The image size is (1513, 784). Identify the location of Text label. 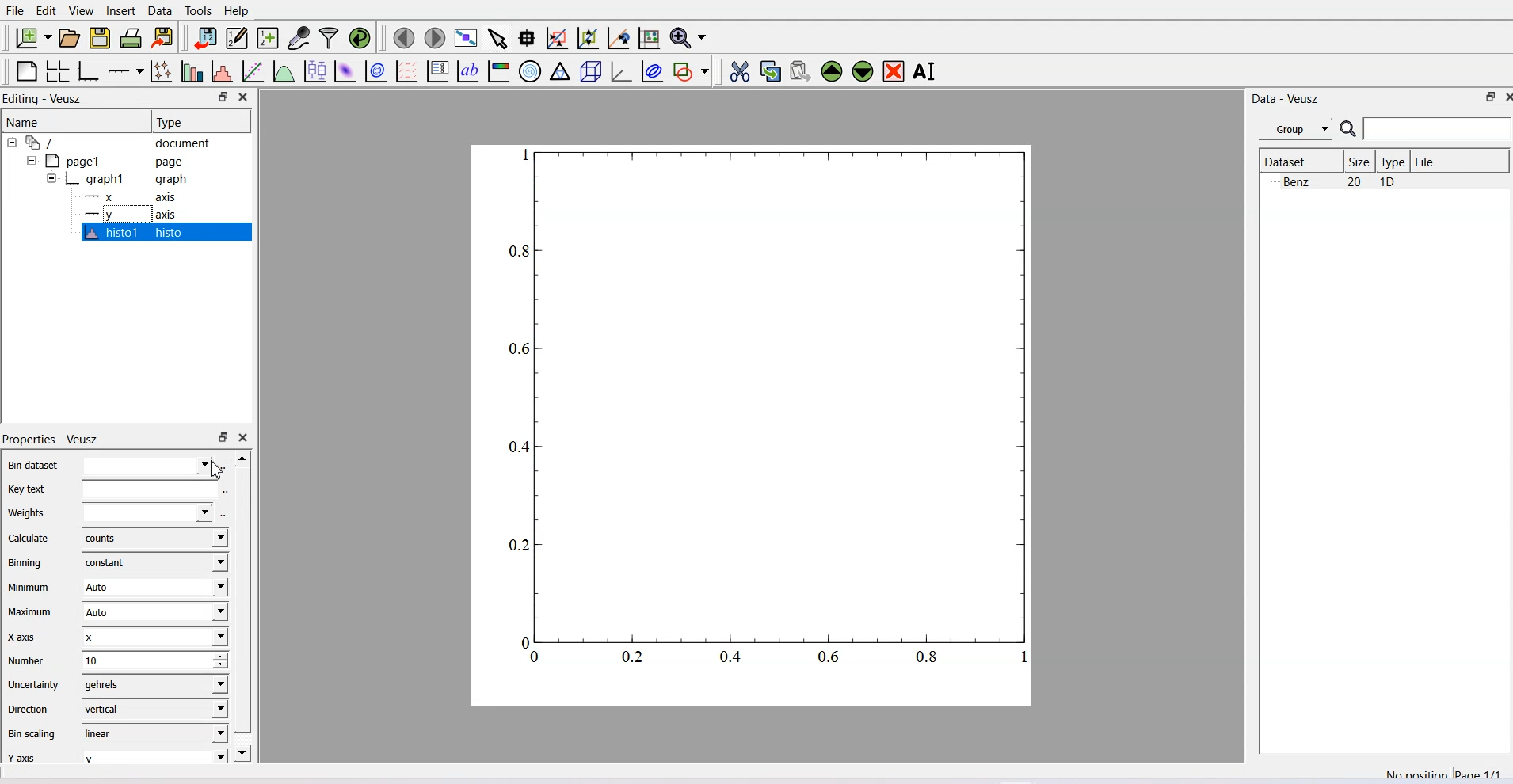
(467, 71).